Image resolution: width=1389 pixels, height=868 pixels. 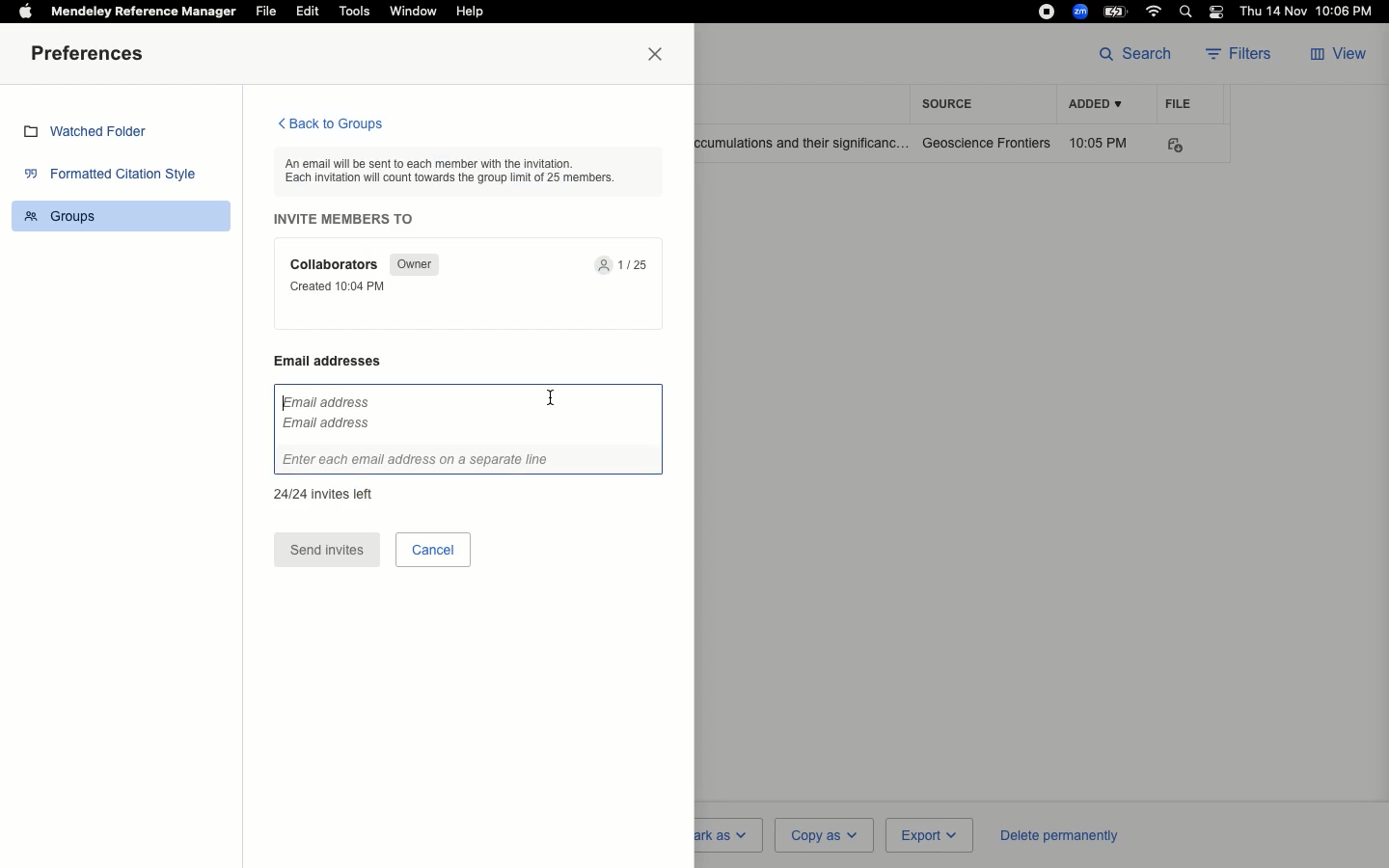 What do you see at coordinates (343, 286) in the screenshot?
I see `Created` at bounding box center [343, 286].